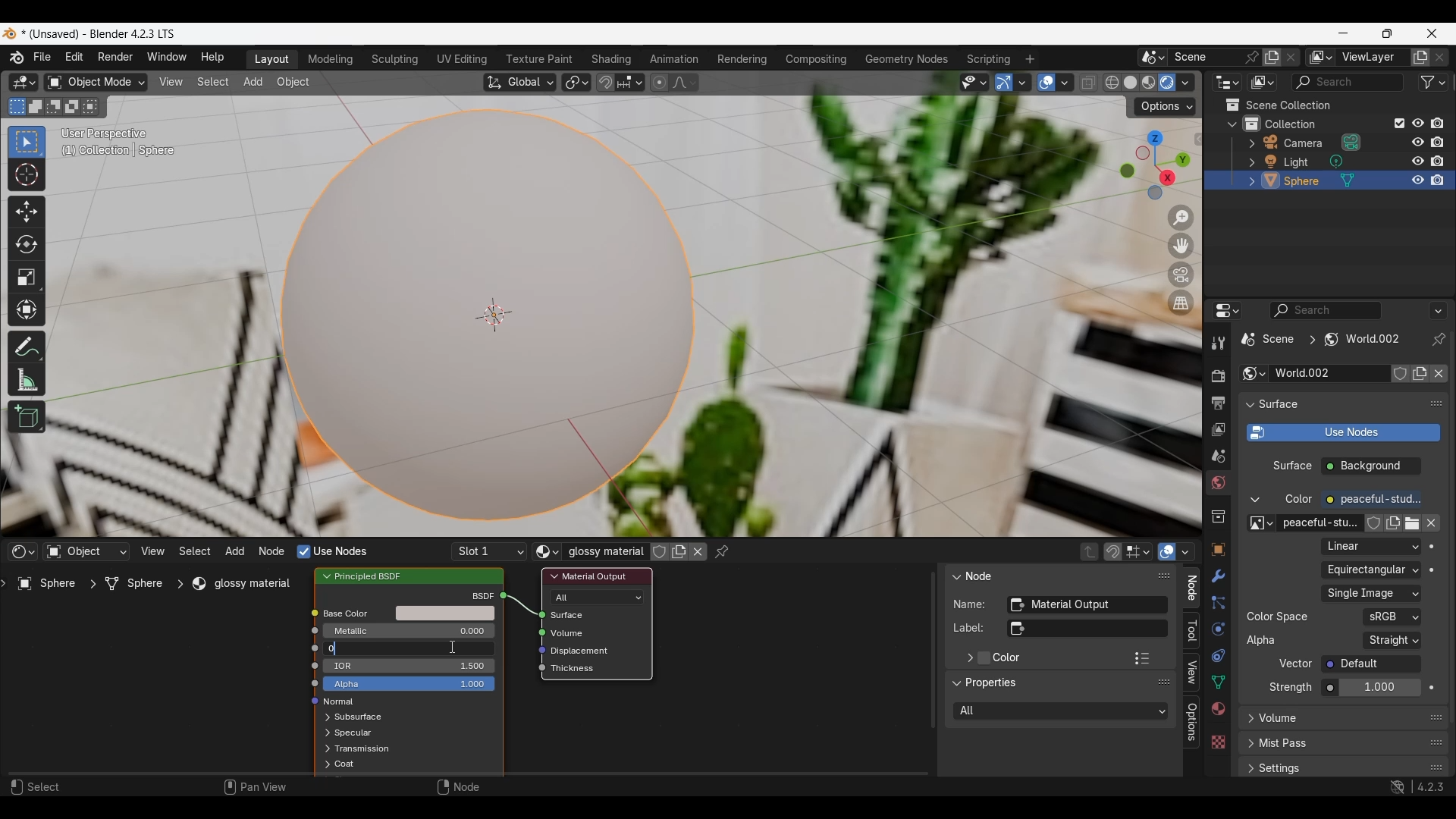 The image size is (1456, 819). What do you see at coordinates (1392, 617) in the screenshot?
I see `Color space` at bounding box center [1392, 617].